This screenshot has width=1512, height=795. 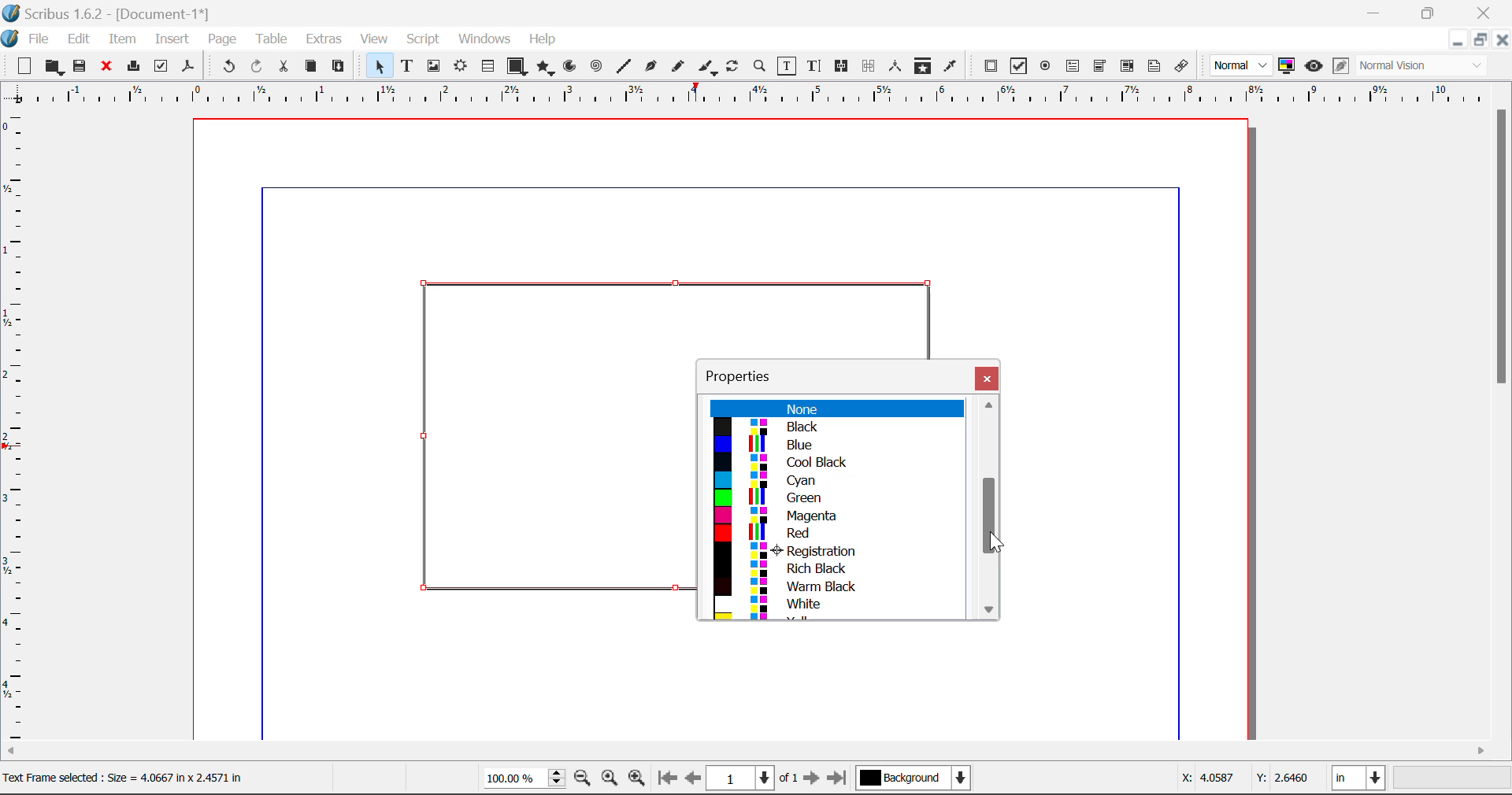 What do you see at coordinates (814, 781) in the screenshot?
I see `Next Page` at bounding box center [814, 781].